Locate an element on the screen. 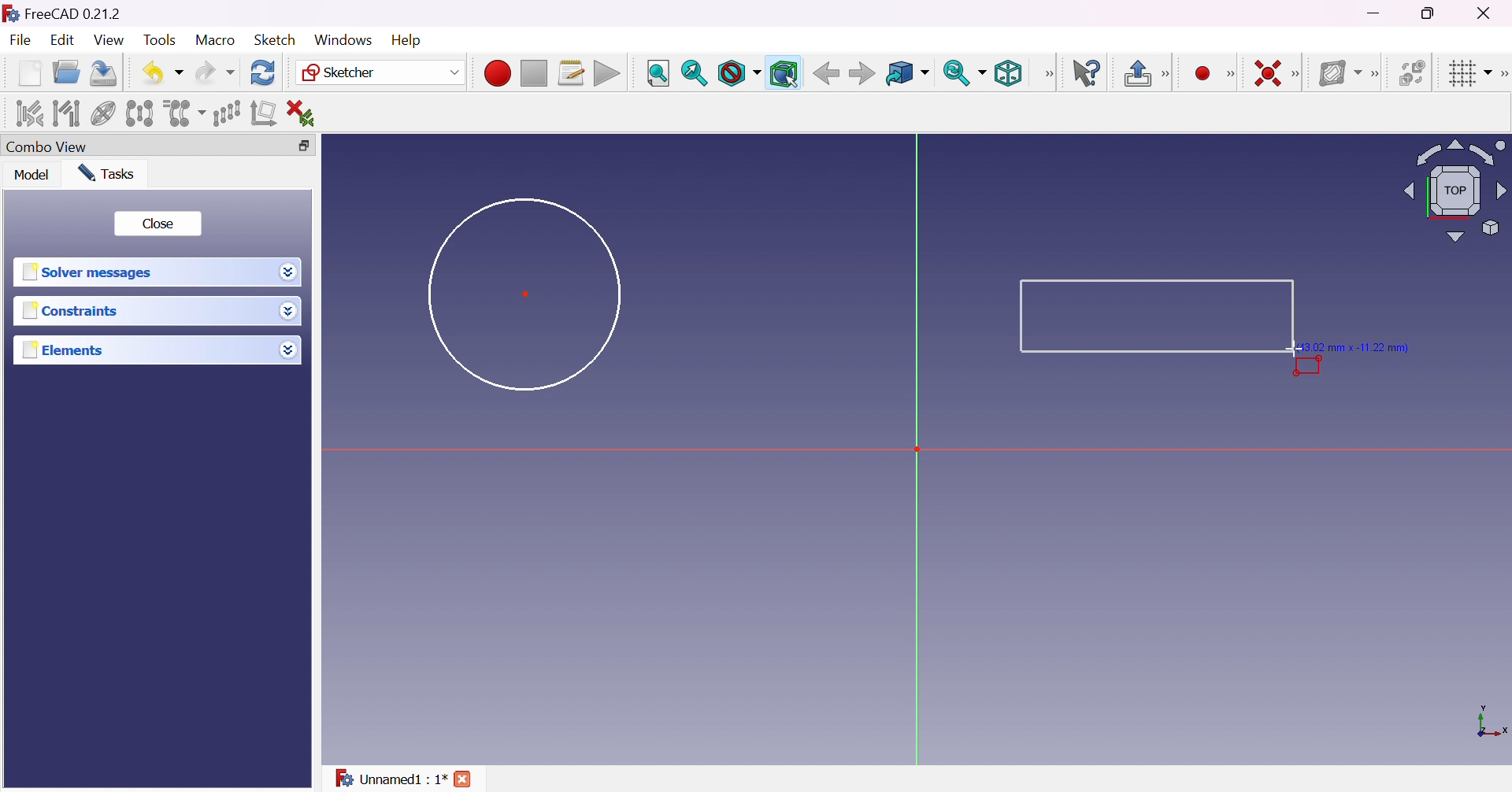 The width and height of the screenshot is (1512, 792). Symmetry is located at coordinates (140, 113).